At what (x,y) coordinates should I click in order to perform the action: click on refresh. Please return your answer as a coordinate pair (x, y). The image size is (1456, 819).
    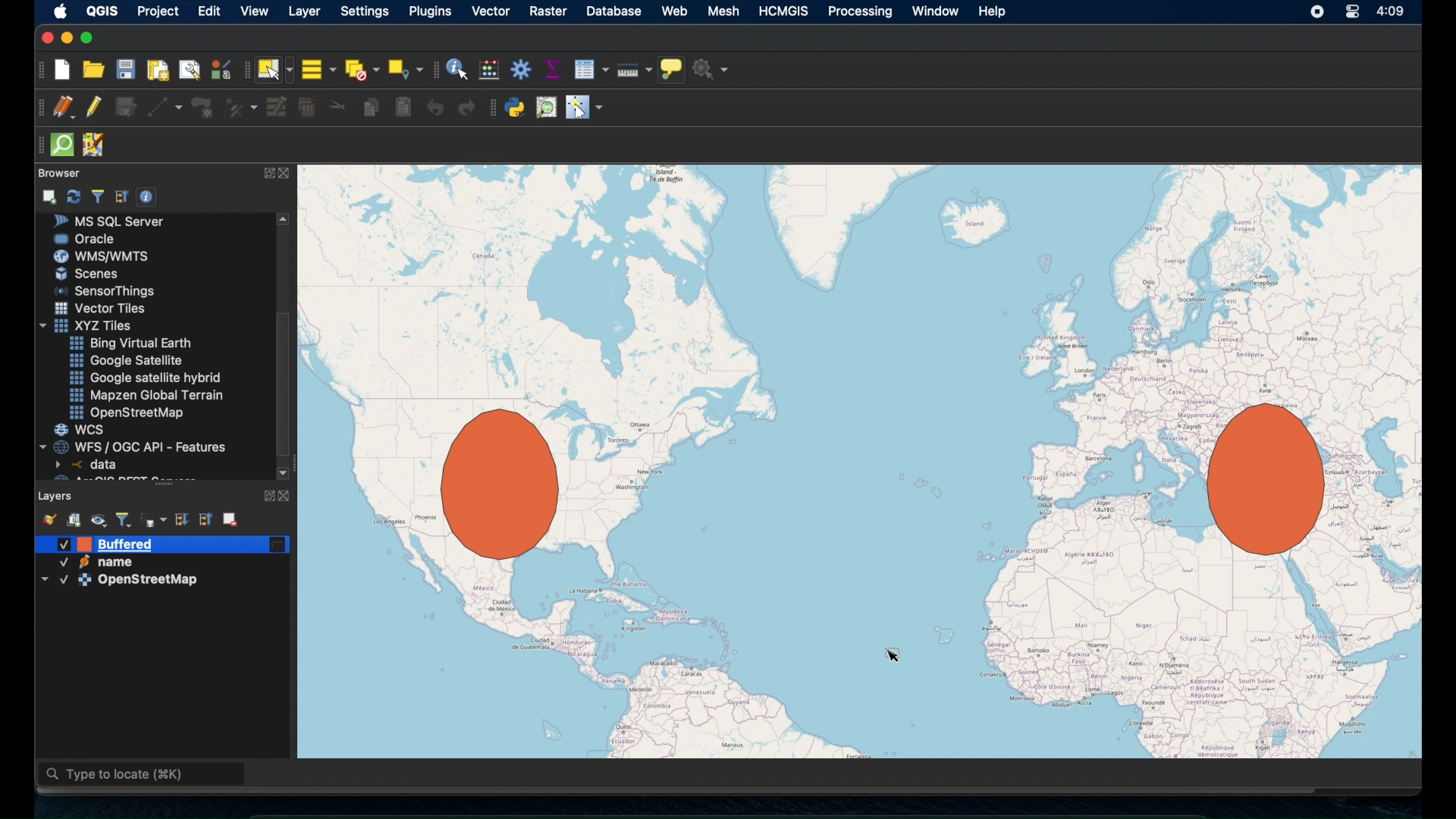
    Looking at the image, I should click on (74, 195).